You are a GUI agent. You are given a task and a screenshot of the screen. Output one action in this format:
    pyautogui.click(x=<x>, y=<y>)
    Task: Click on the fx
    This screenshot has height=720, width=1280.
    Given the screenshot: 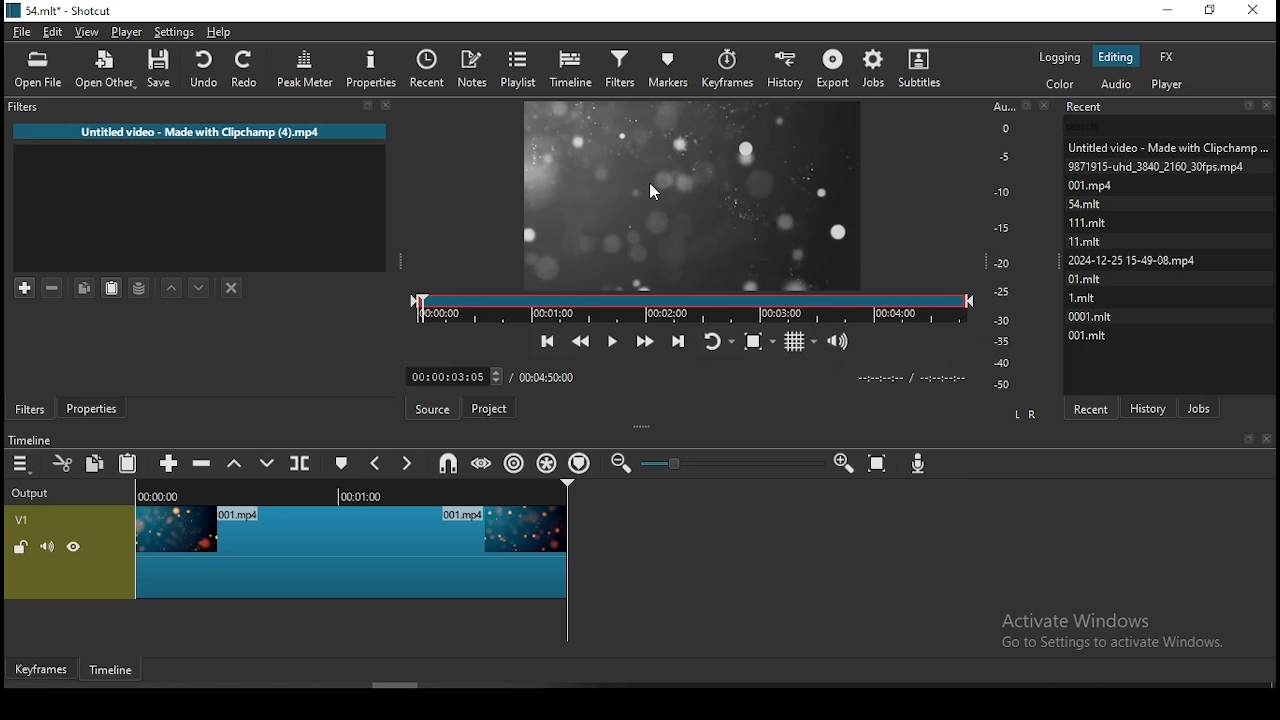 What is the action you would take?
    pyautogui.click(x=1168, y=56)
    